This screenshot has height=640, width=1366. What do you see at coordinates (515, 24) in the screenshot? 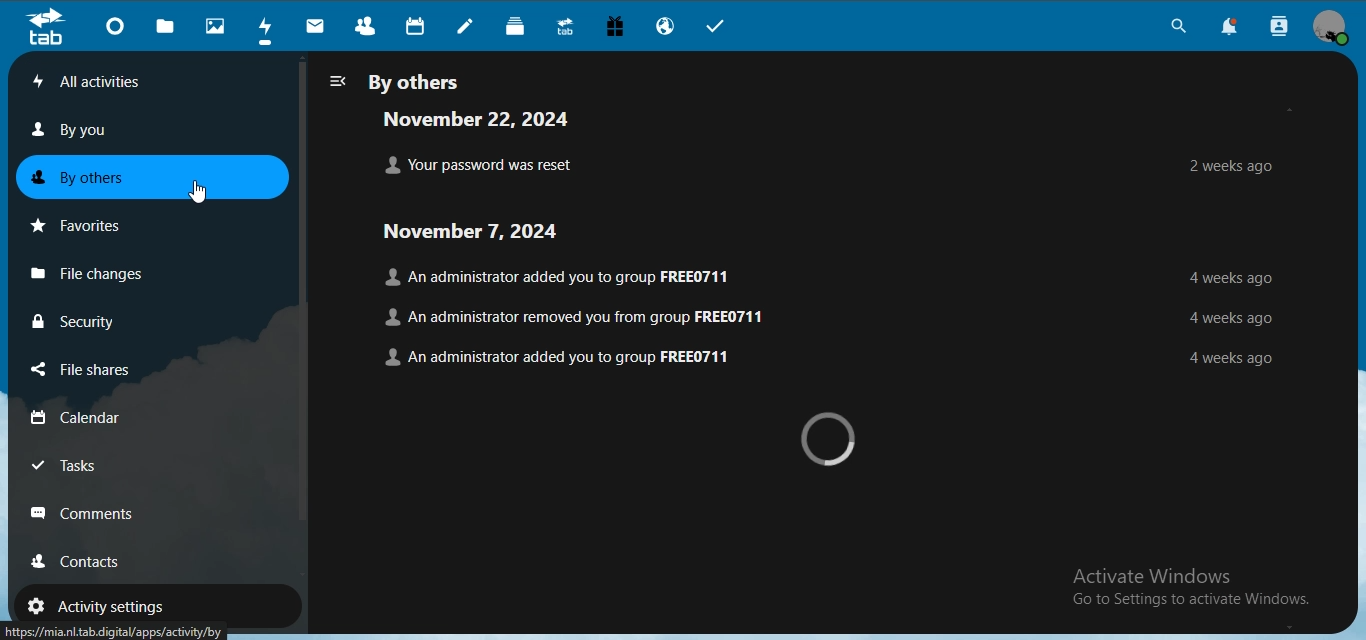
I see `deck` at bounding box center [515, 24].